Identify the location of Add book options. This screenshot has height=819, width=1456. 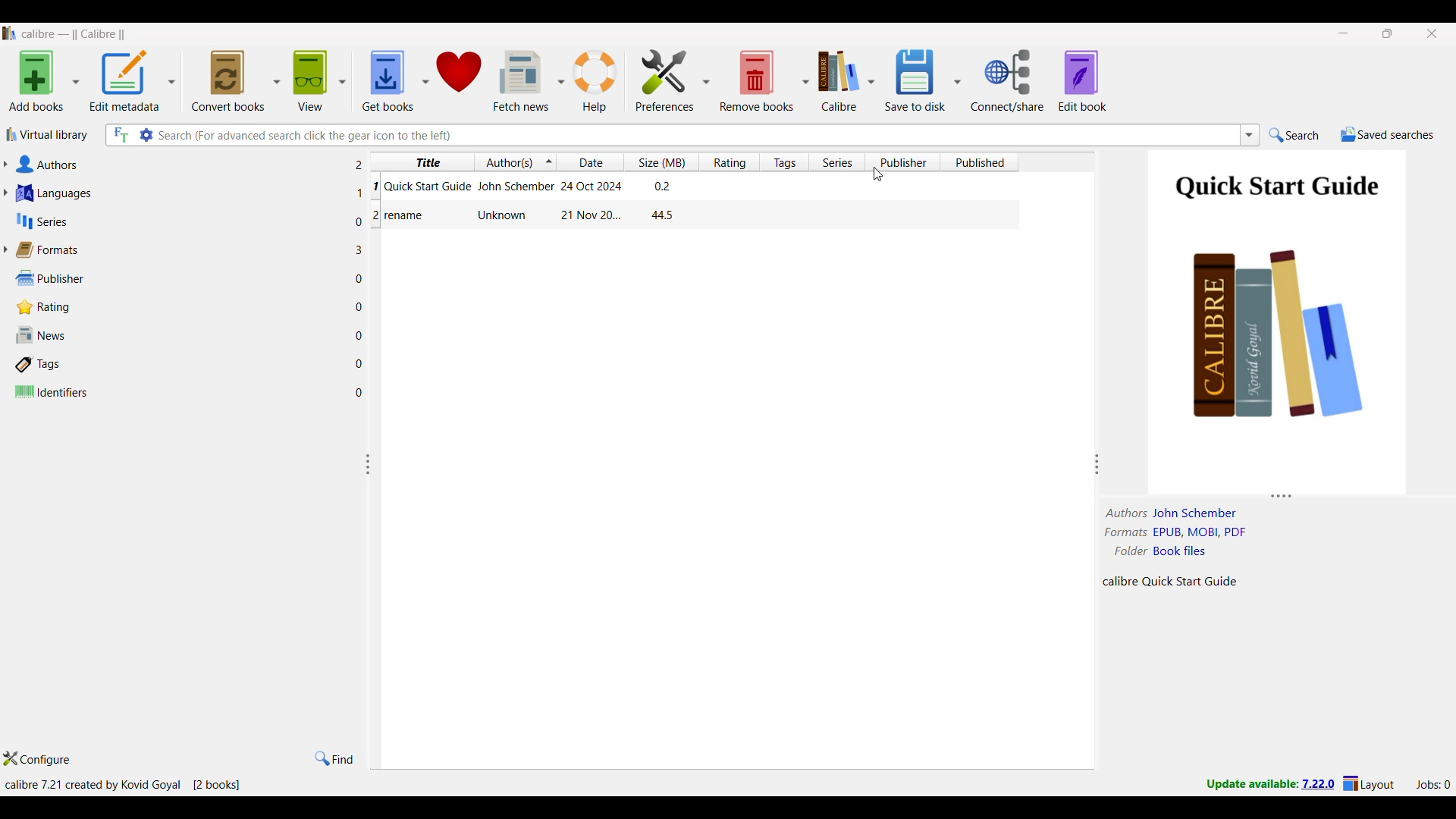
(45, 80).